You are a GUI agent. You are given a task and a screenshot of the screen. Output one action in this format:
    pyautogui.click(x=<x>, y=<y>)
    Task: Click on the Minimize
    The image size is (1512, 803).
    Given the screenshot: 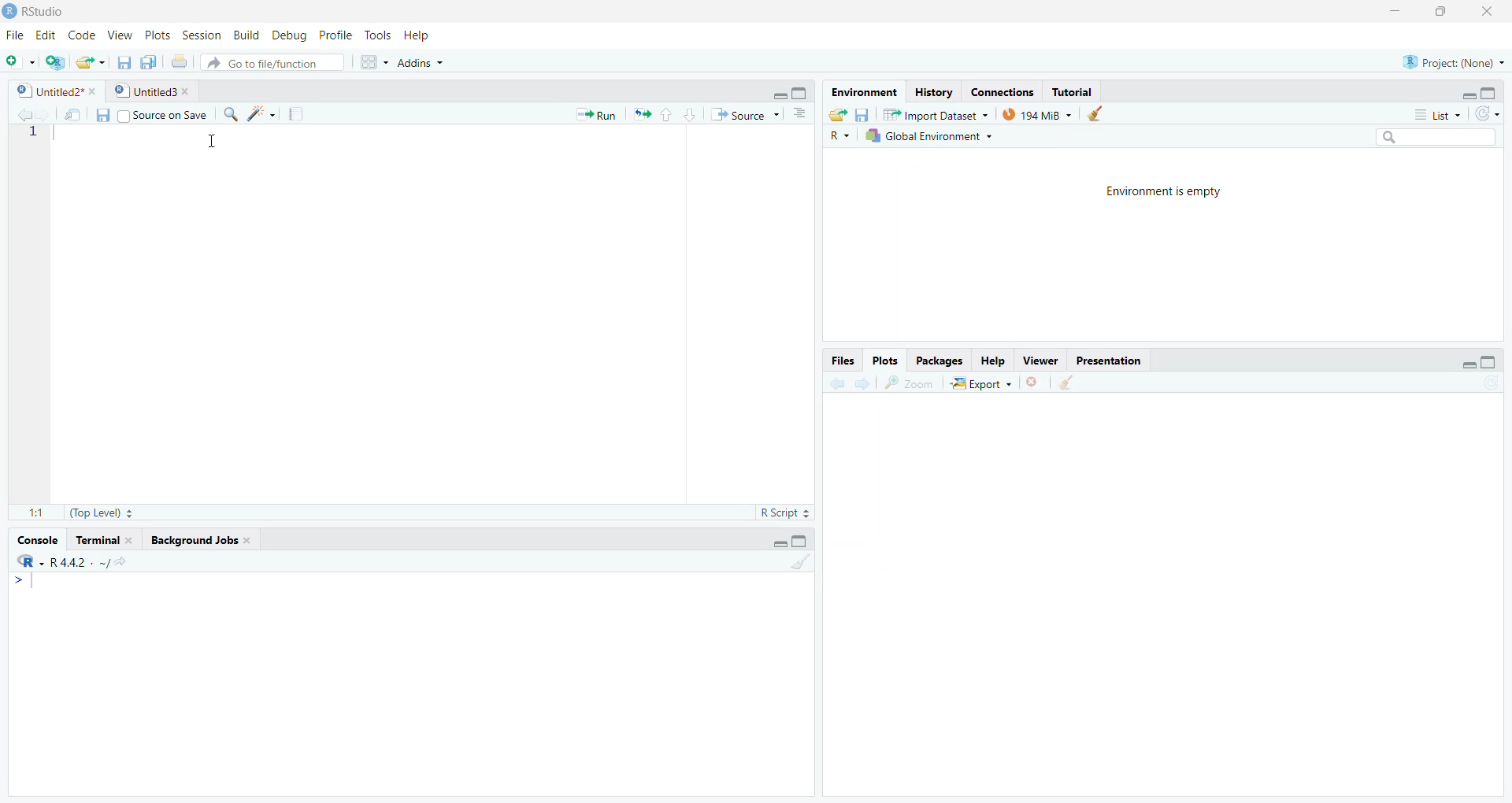 What is the action you would take?
    pyautogui.click(x=1398, y=12)
    